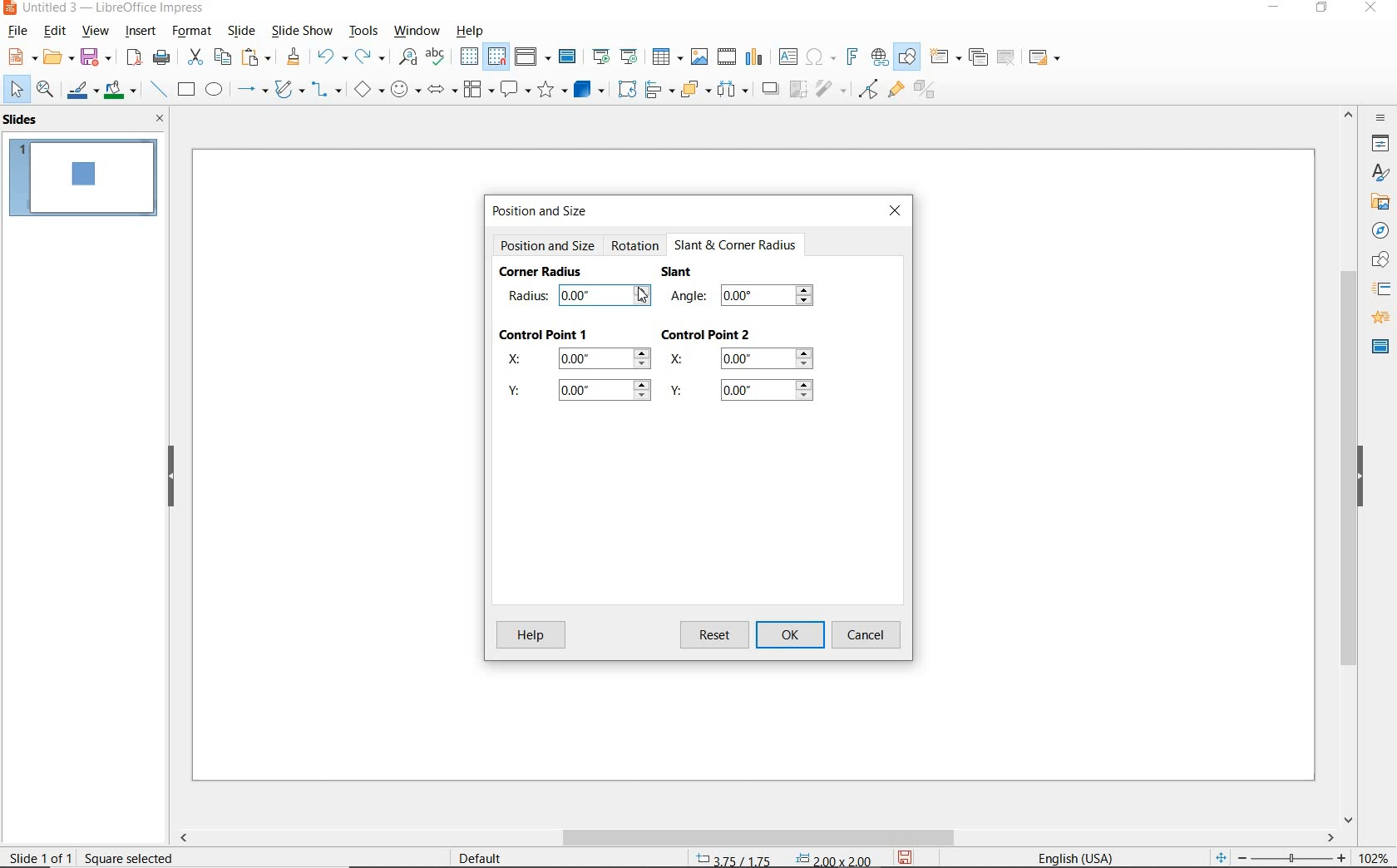 The image size is (1397, 868). Describe the element at coordinates (193, 57) in the screenshot. I see `cut` at that location.